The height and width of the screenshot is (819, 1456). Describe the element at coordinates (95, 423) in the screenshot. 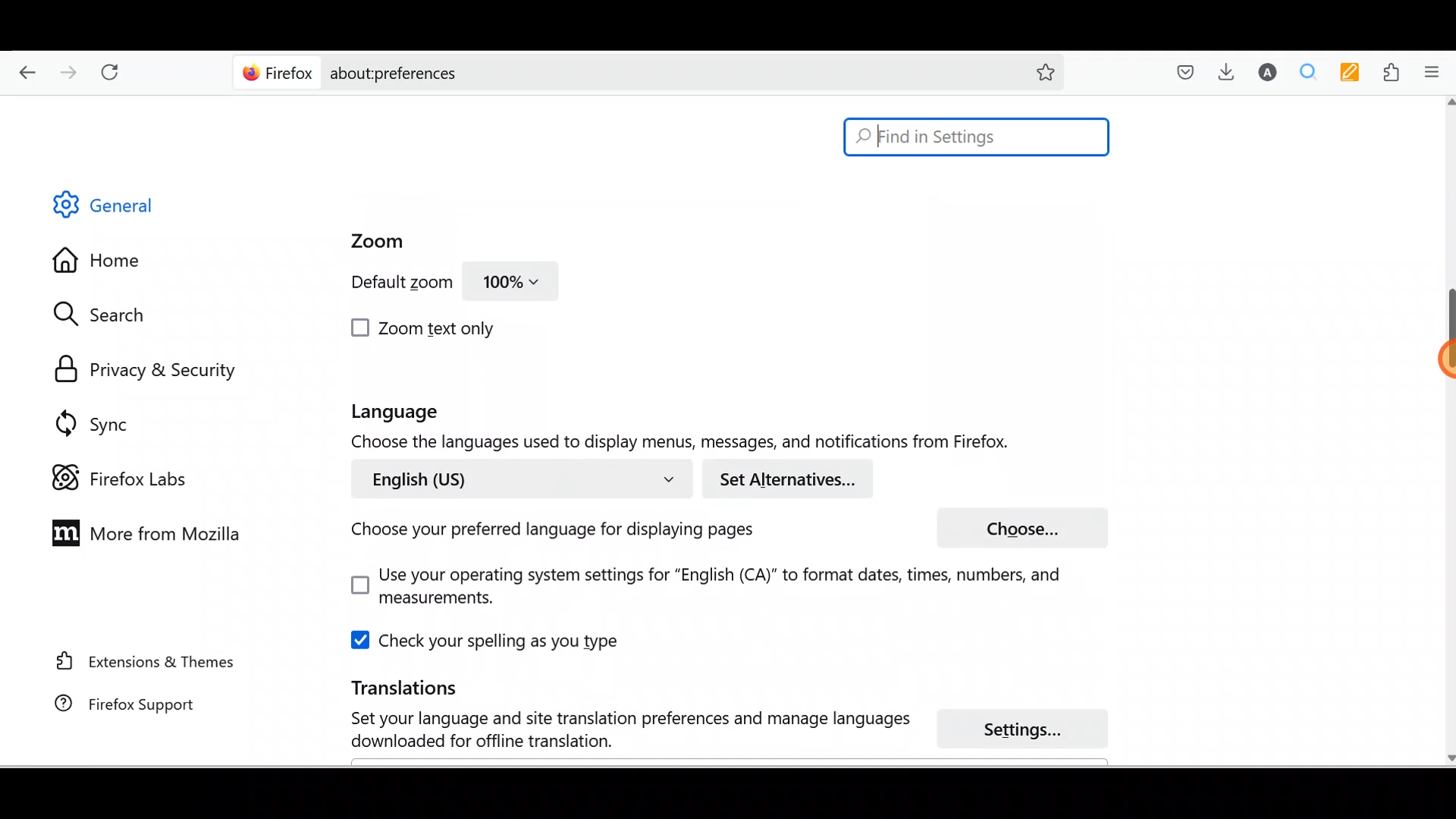

I see `Sync` at that location.